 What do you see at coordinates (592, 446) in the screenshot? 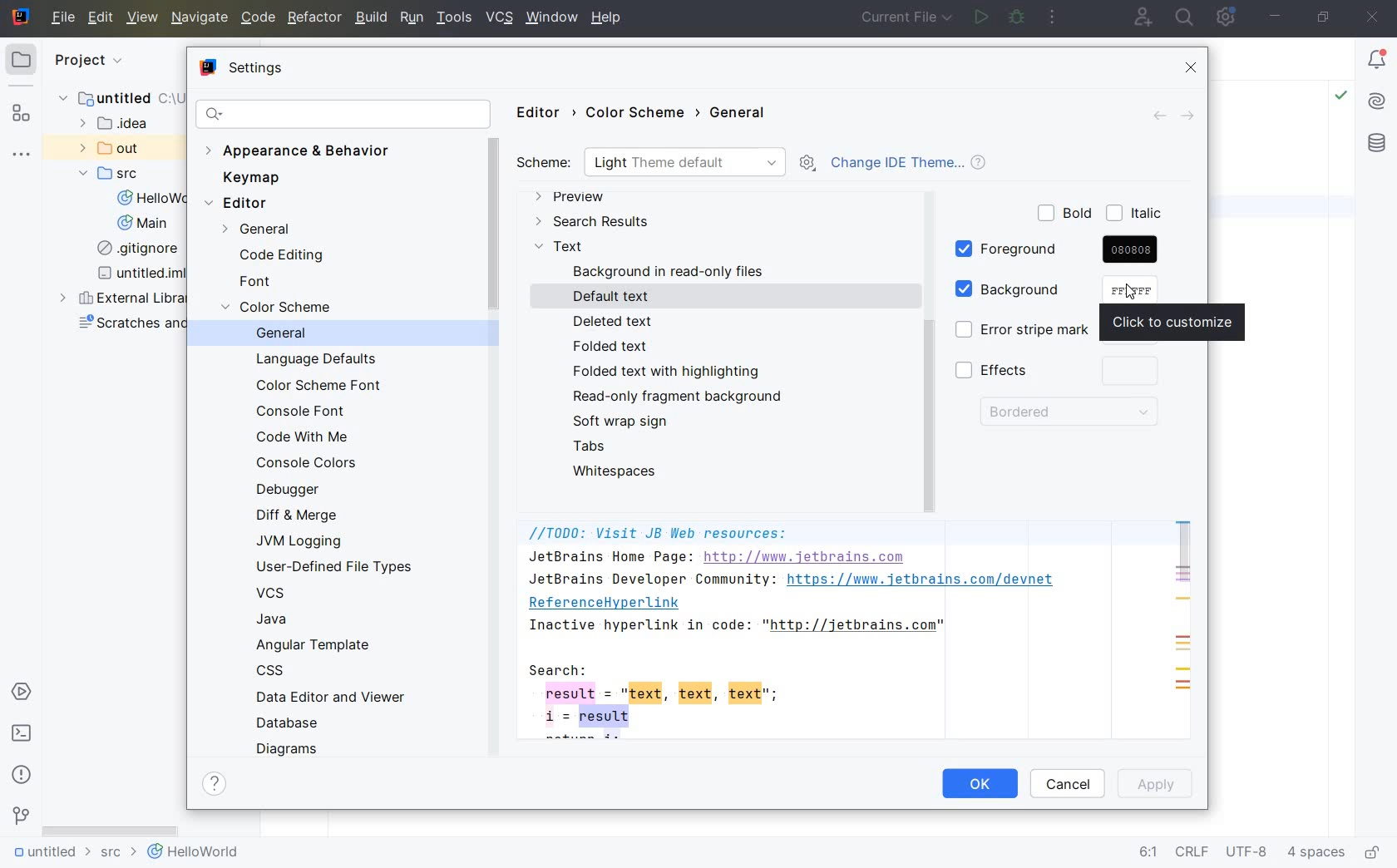
I see `TABS` at bounding box center [592, 446].